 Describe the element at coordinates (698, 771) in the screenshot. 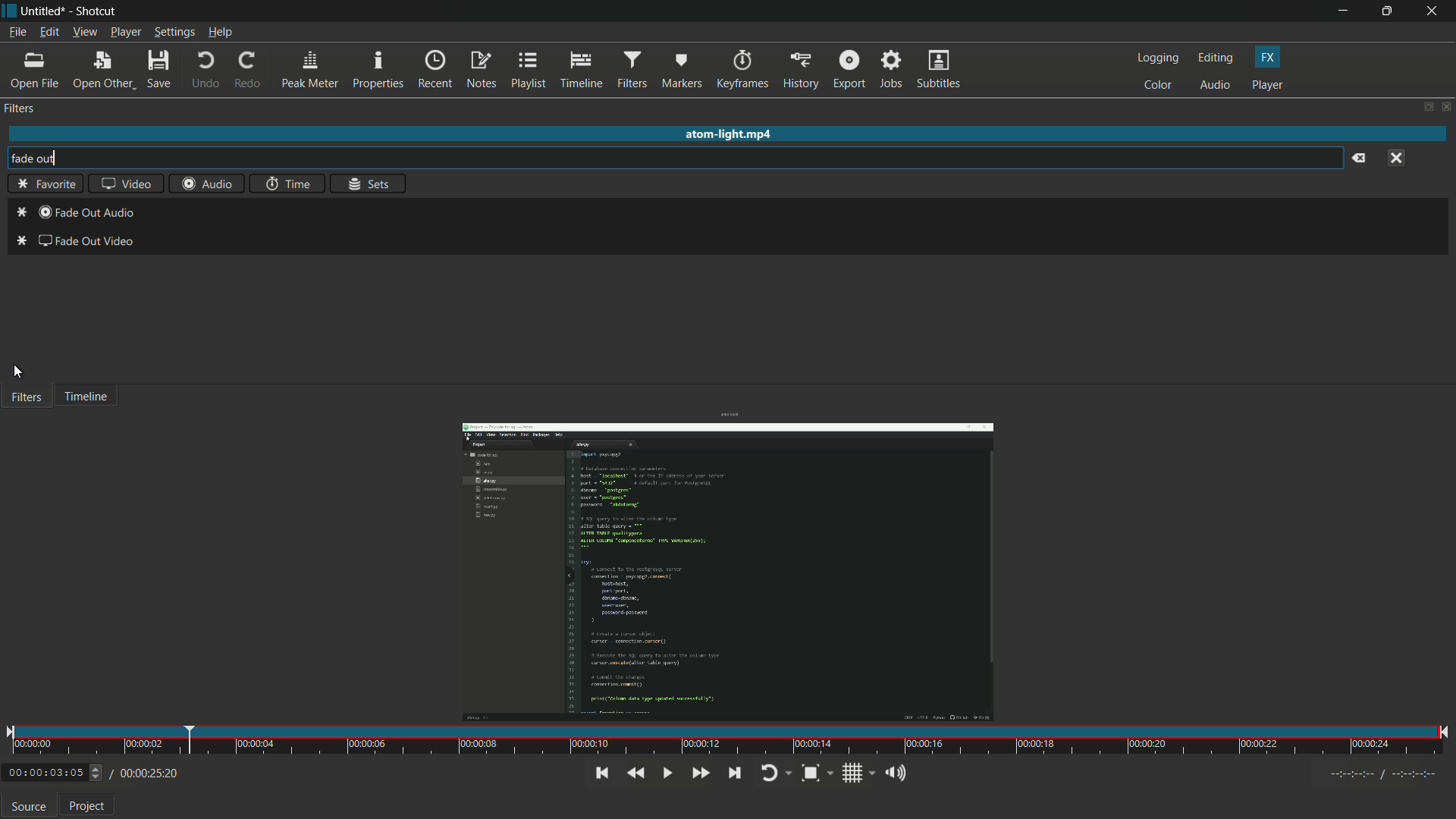

I see `quickly play forward` at that location.